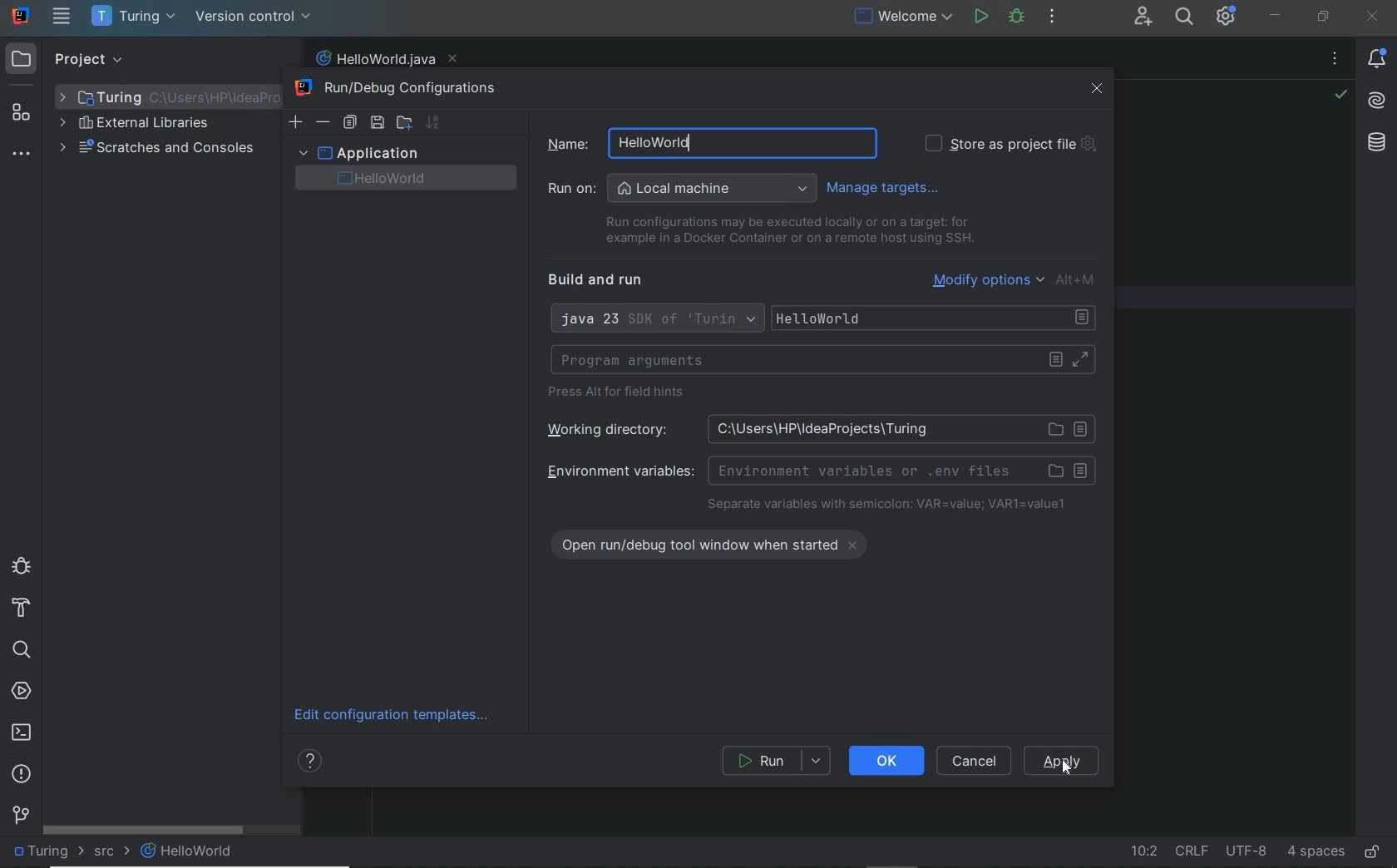 Image resolution: width=1397 pixels, height=868 pixels. I want to click on system name, so click(22, 16).